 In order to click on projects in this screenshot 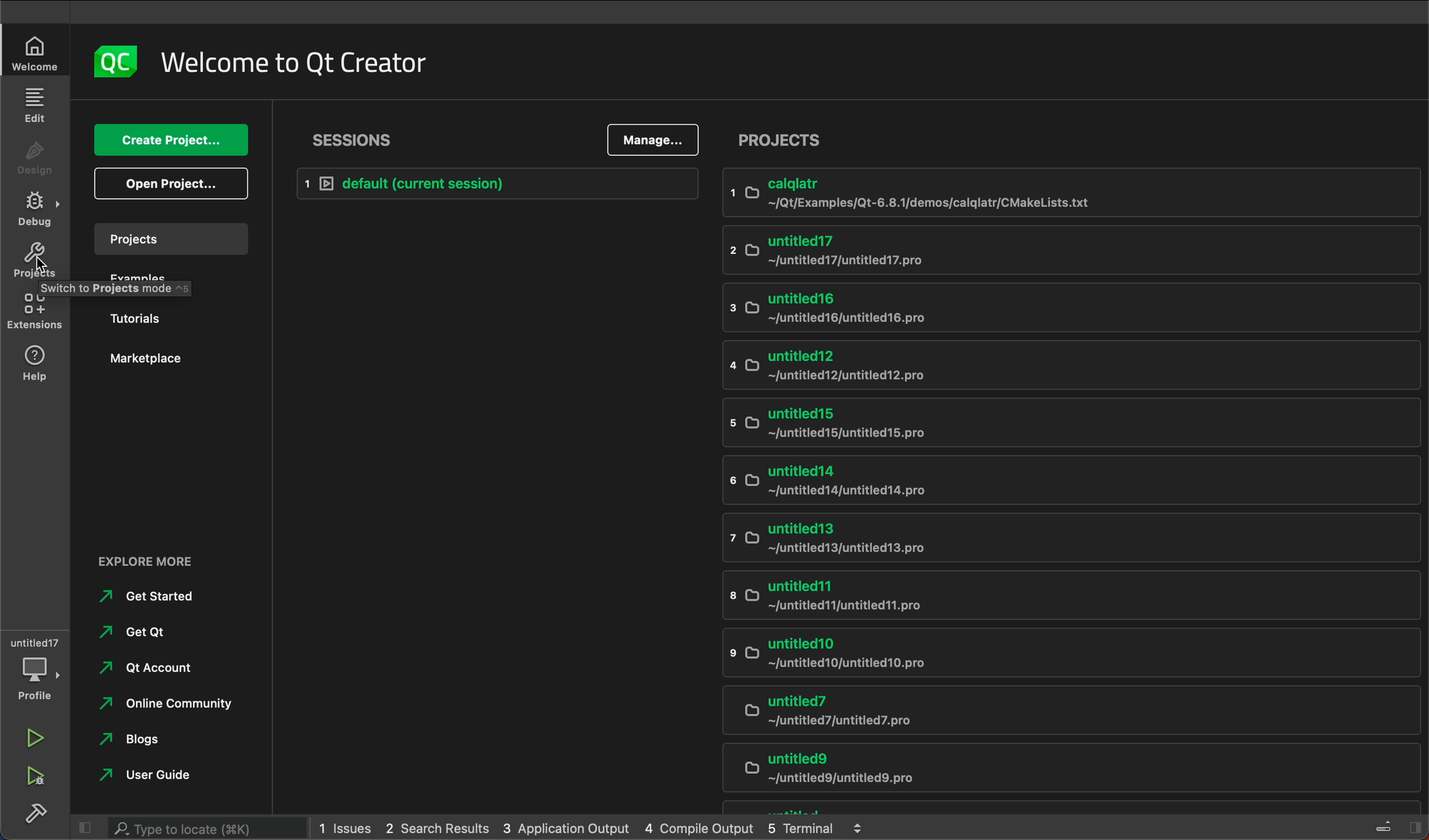, I will do `click(37, 261)`.